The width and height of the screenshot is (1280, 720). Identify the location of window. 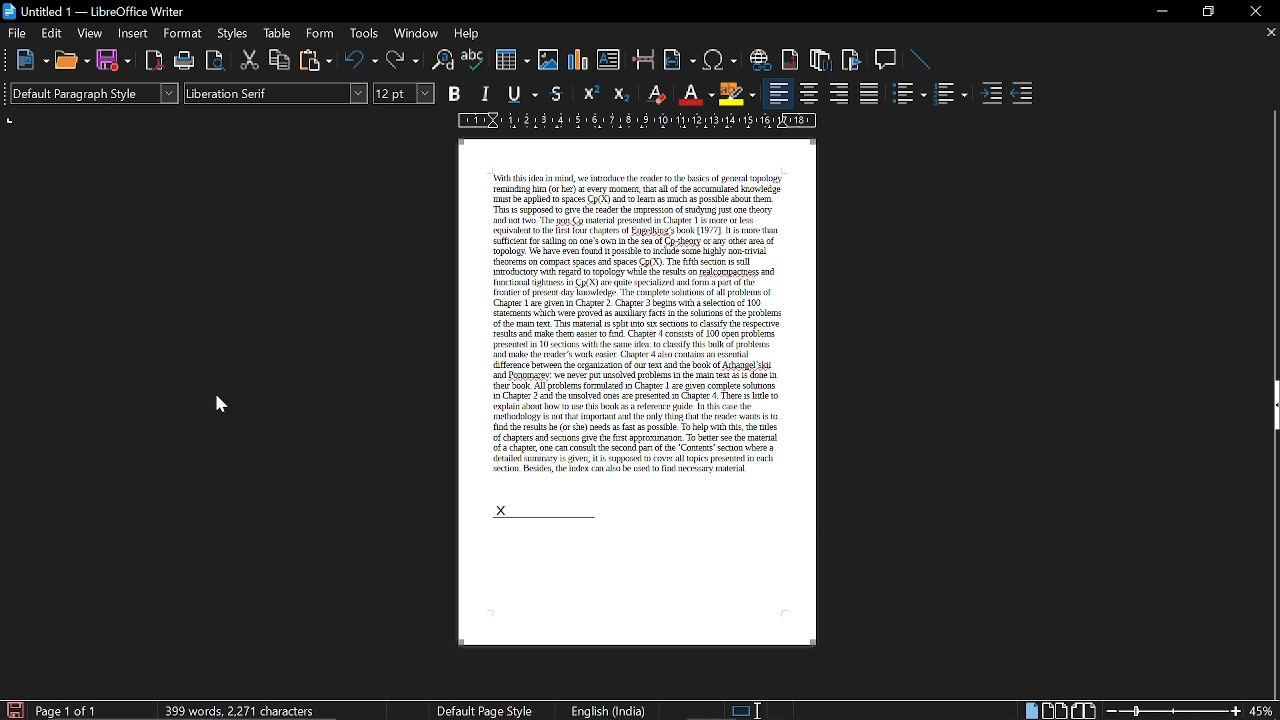
(416, 34).